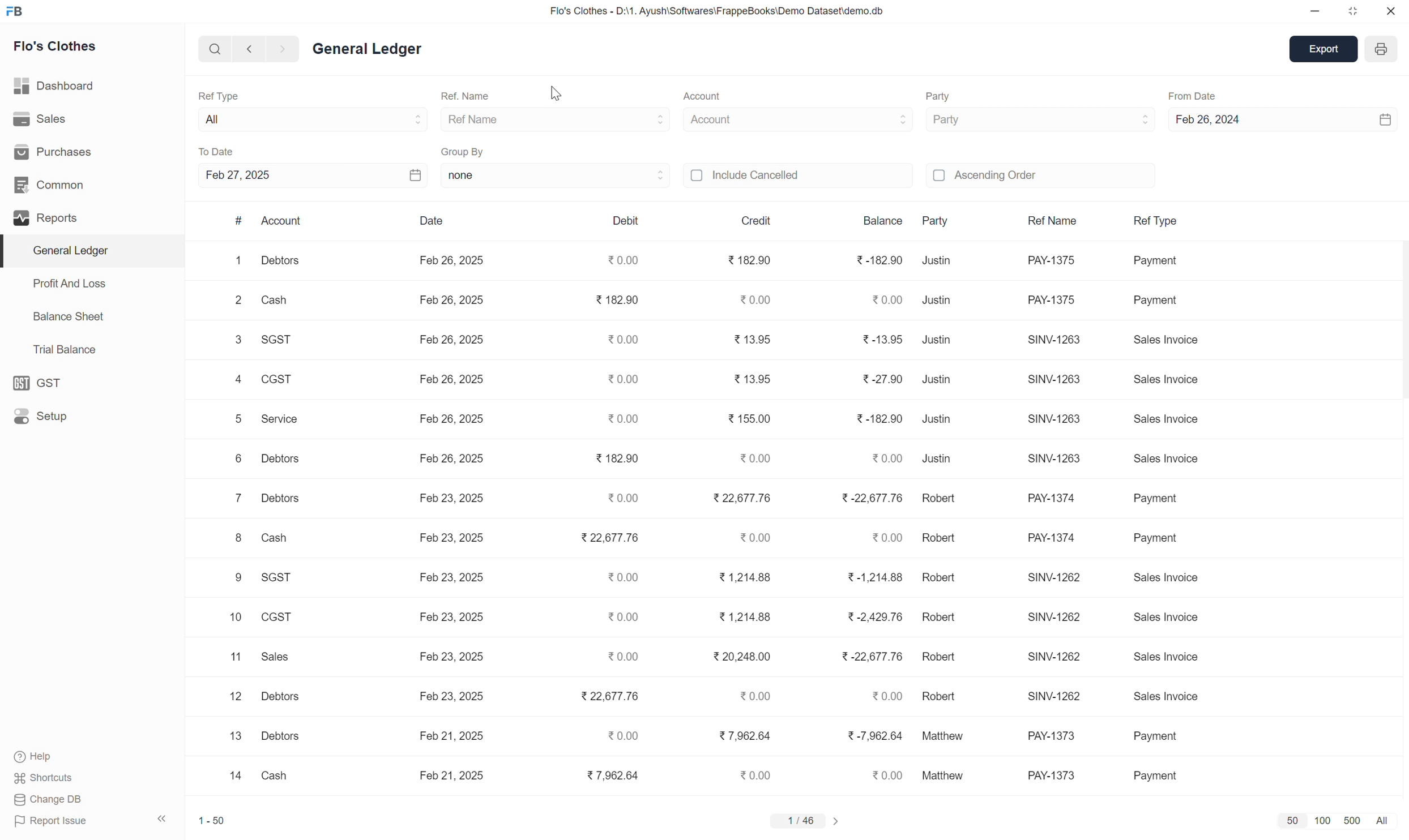  What do you see at coordinates (454, 460) in the screenshot?
I see `feb 26, 2025` at bounding box center [454, 460].